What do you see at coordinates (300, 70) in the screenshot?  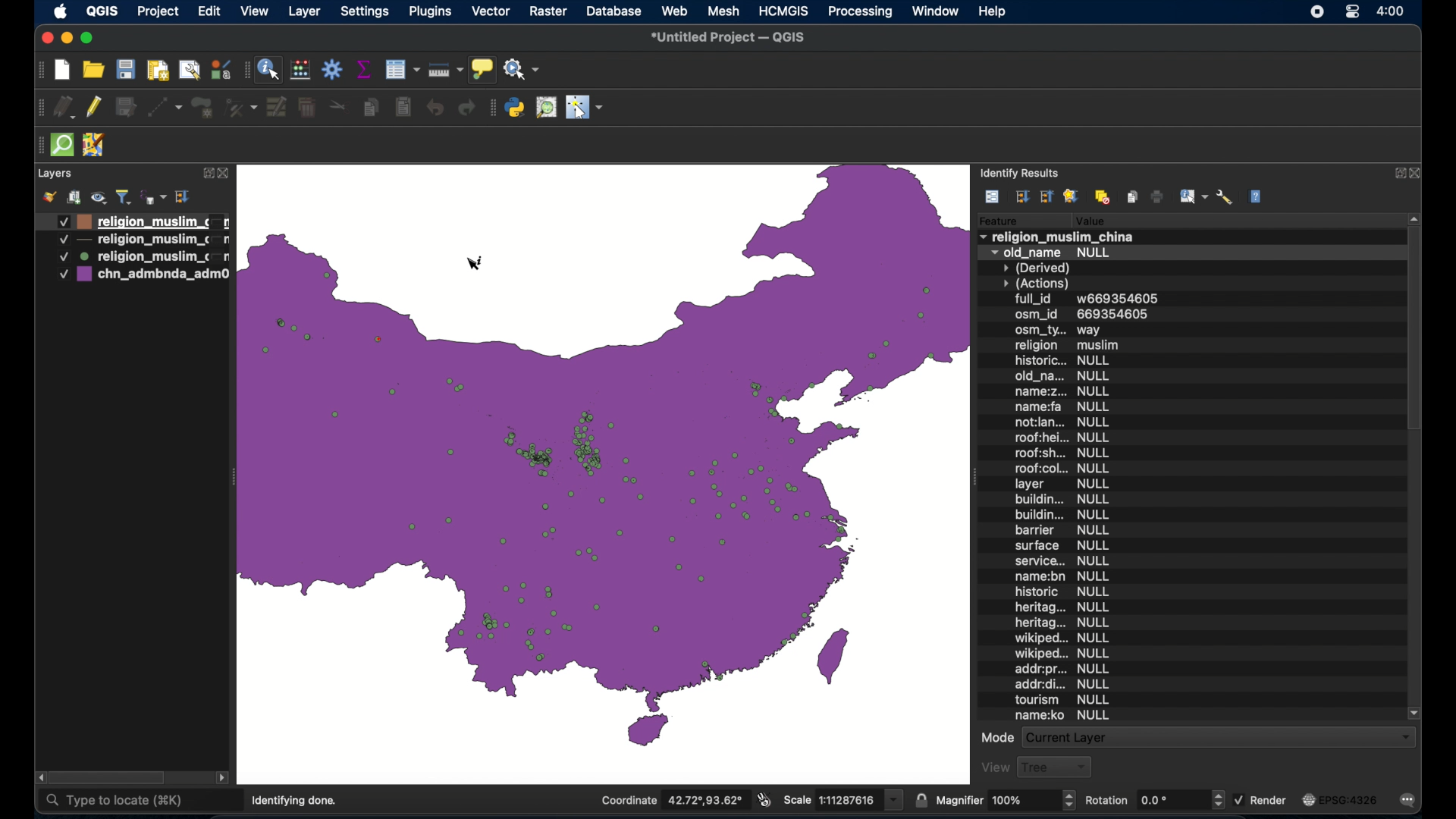 I see `open field calculator` at bounding box center [300, 70].